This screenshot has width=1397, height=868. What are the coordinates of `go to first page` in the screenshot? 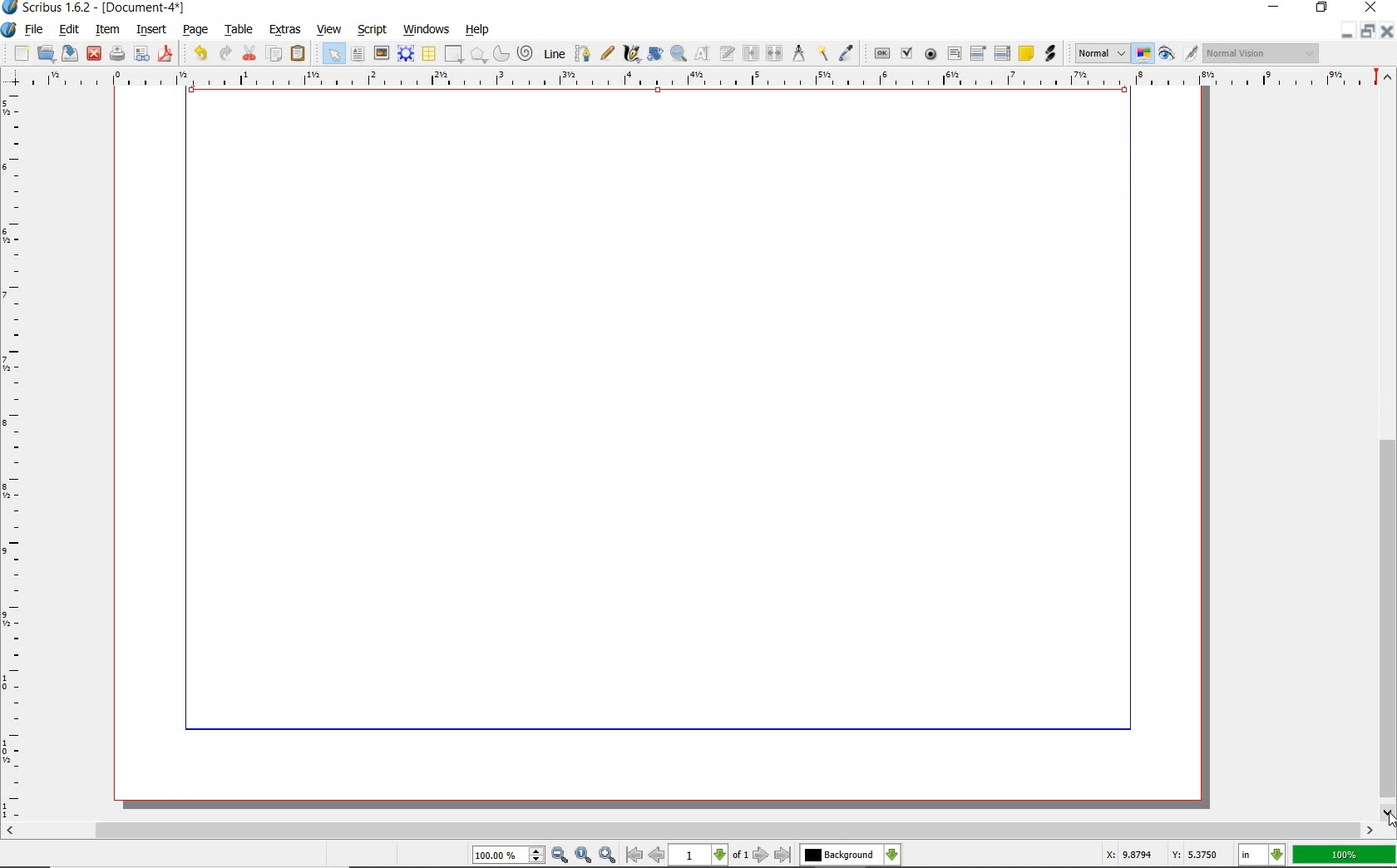 It's located at (635, 856).